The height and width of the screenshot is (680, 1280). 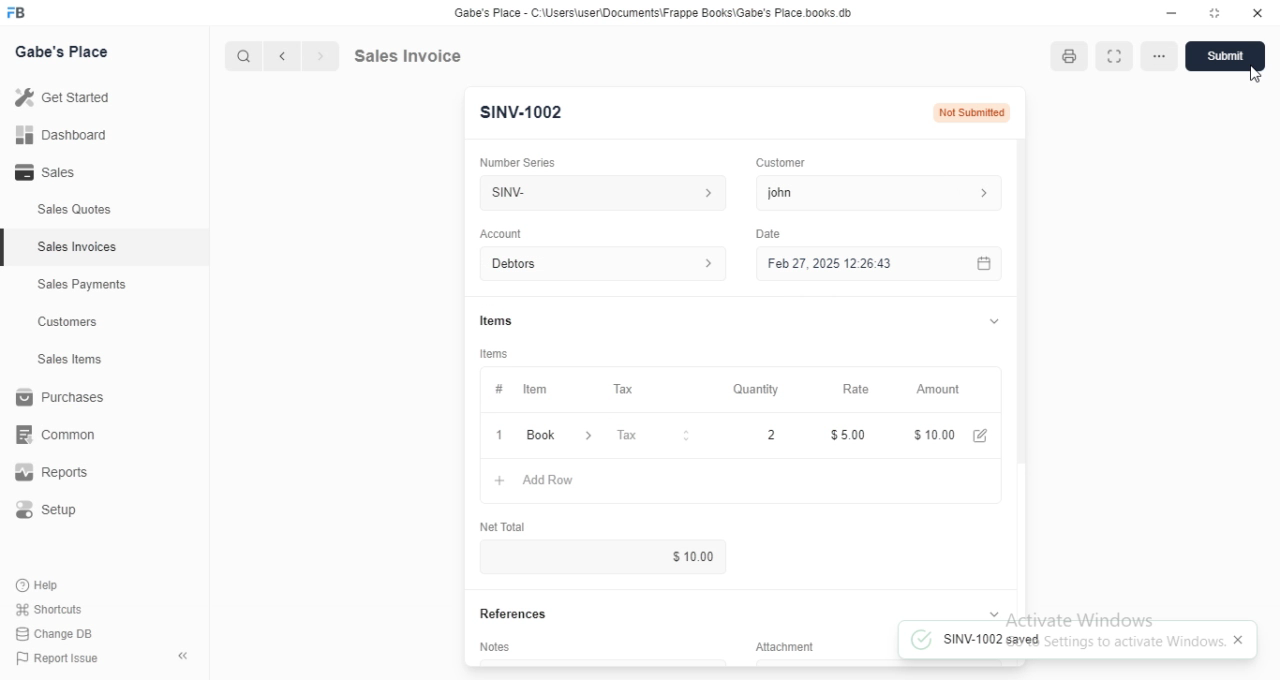 What do you see at coordinates (284, 54) in the screenshot?
I see `previous` at bounding box center [284, 54].